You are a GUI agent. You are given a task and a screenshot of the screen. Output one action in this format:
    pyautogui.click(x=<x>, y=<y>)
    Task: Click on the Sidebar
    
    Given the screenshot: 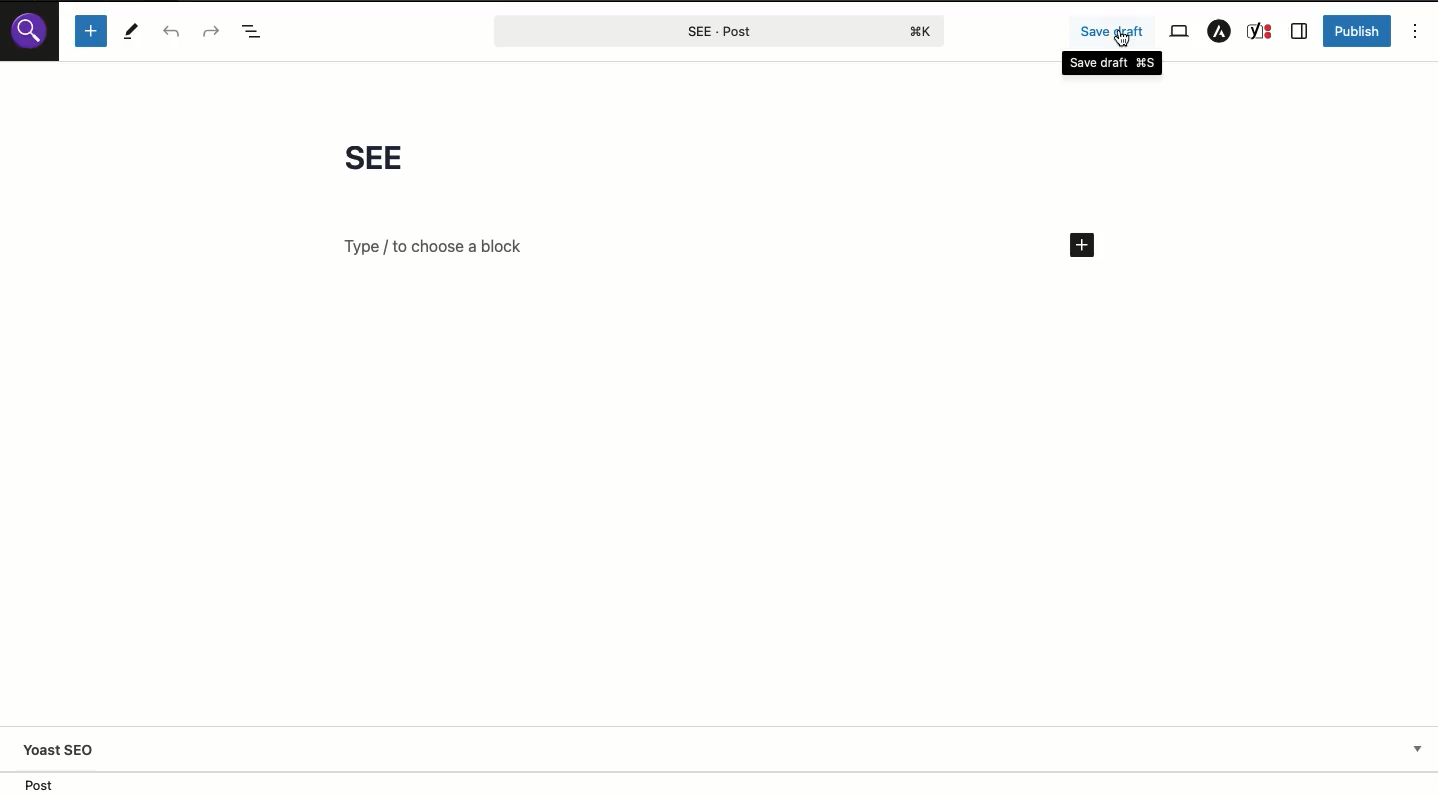 What is the action you would take?
    pyautogui.click(x=1300, y=32)
    